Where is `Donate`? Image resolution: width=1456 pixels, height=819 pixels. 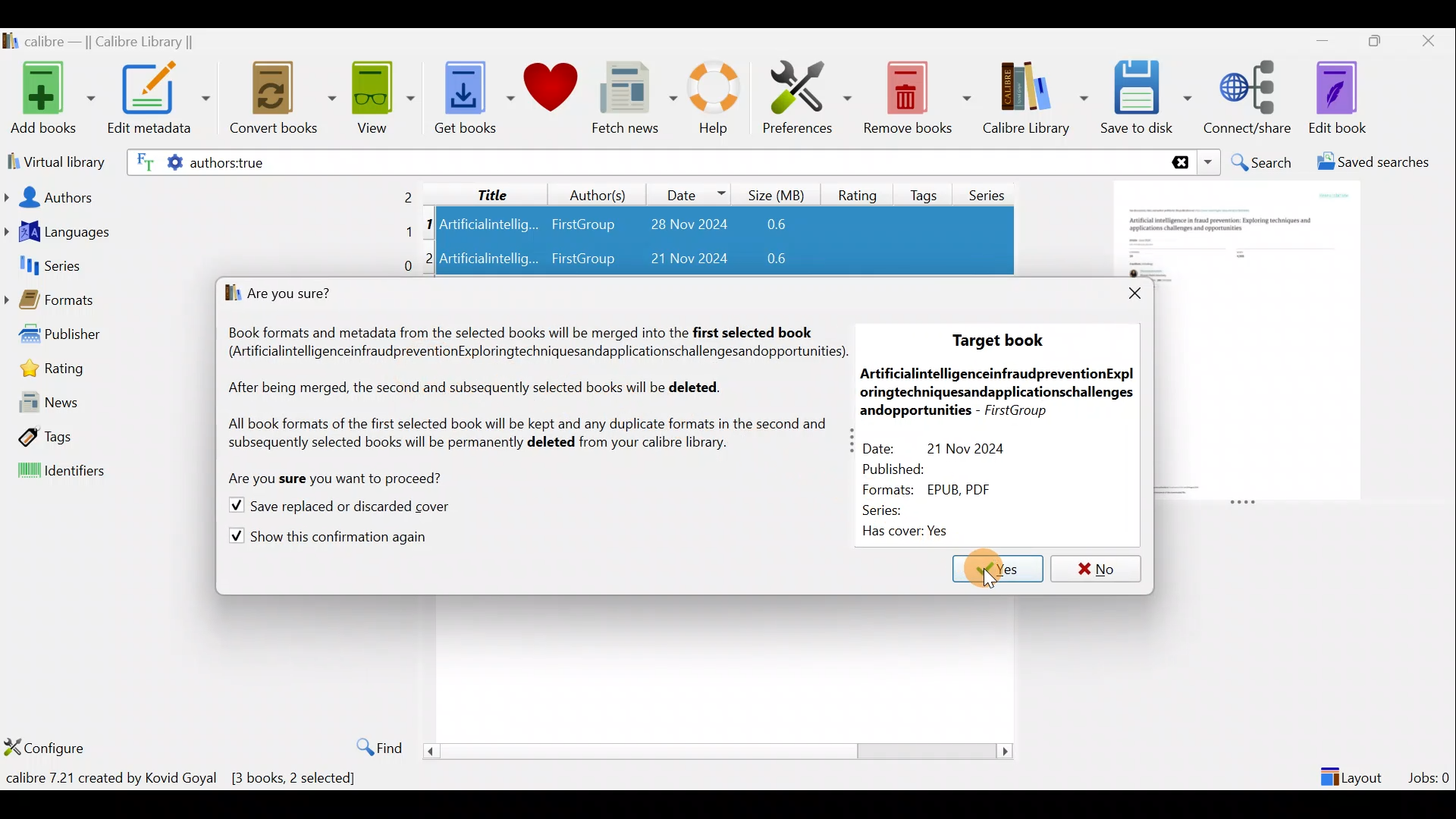
Donate is located at coordinates (551, 93).